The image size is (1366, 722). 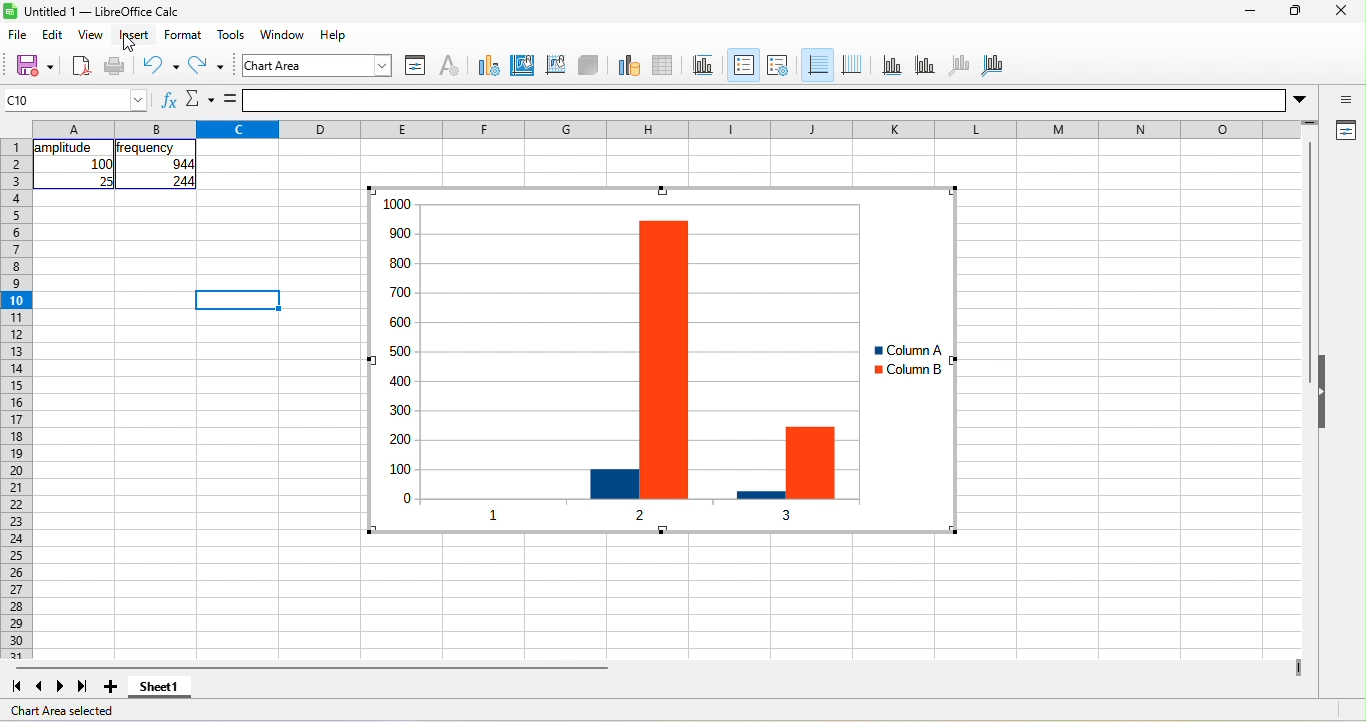 What do you see at coordinates (101, 164) in the screenshot?
I see `100` at bounding box center [101, 164].